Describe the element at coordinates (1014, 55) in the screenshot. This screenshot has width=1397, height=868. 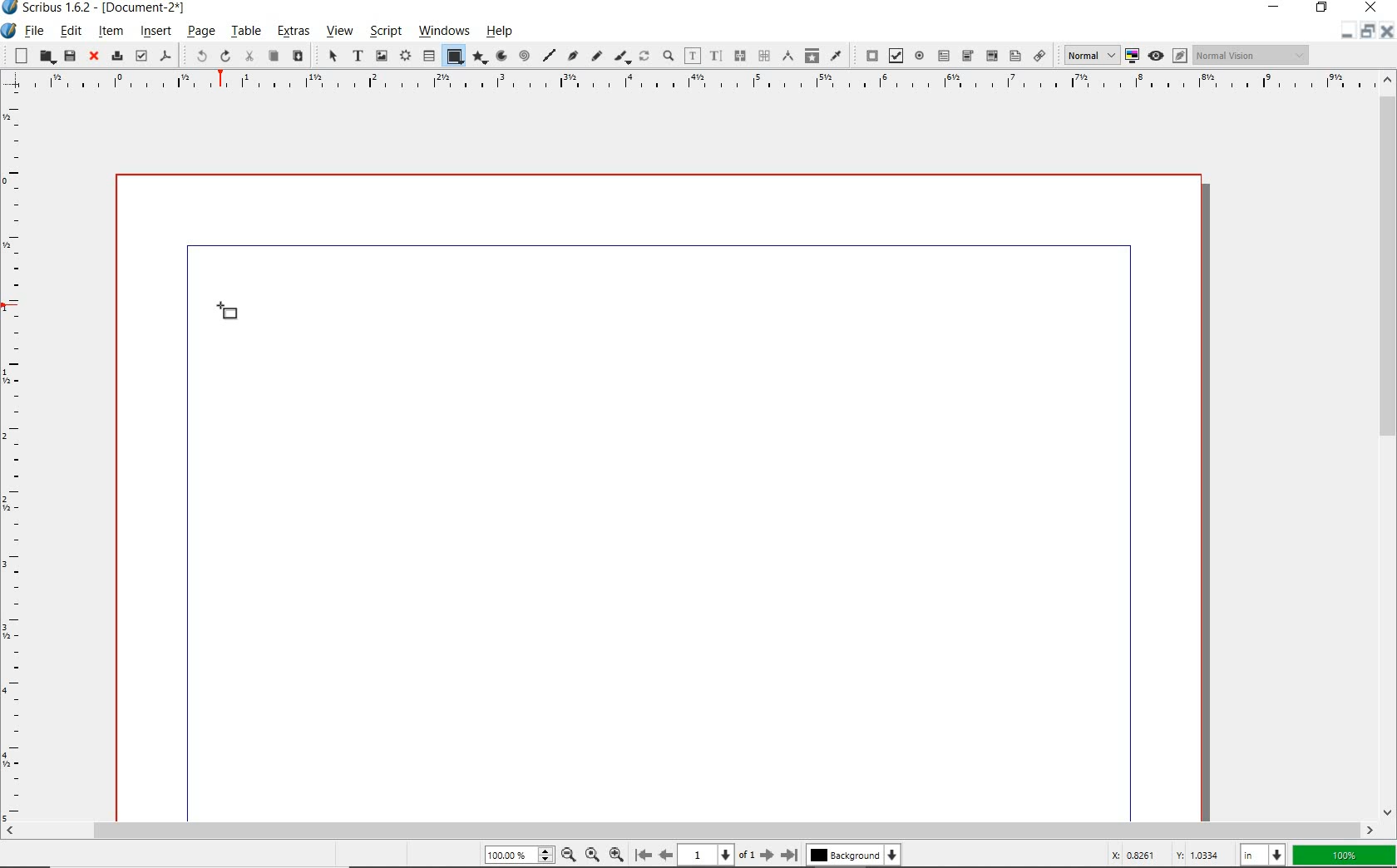
I see `pdf list box` at that location.